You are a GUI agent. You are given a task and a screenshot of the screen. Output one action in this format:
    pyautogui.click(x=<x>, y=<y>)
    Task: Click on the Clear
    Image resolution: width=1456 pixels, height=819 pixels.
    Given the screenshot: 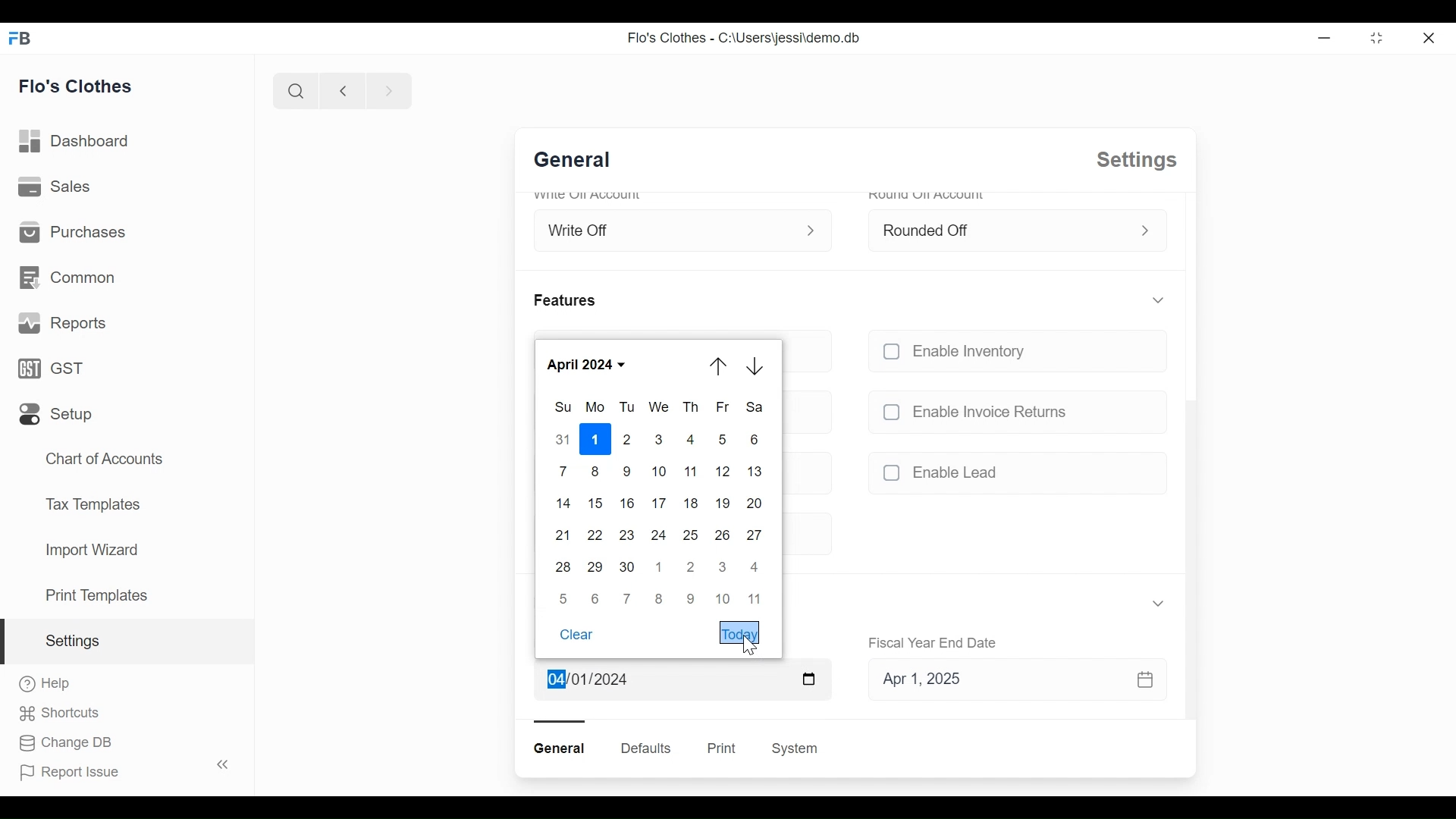 What is the action you would take?
    pyautogui.click(x=578, y=635)
    